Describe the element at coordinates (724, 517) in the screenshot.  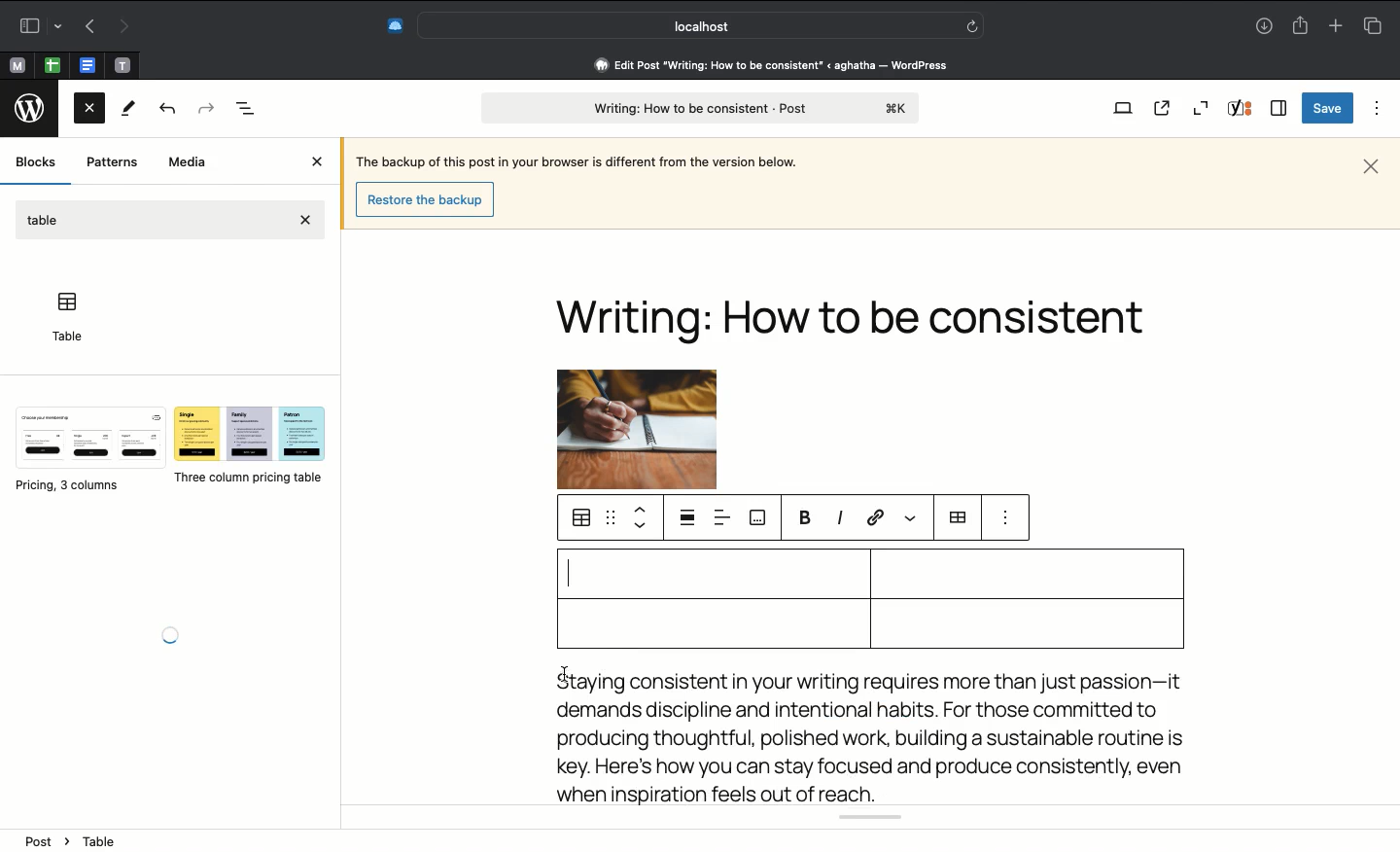
I see `left align` at that location.